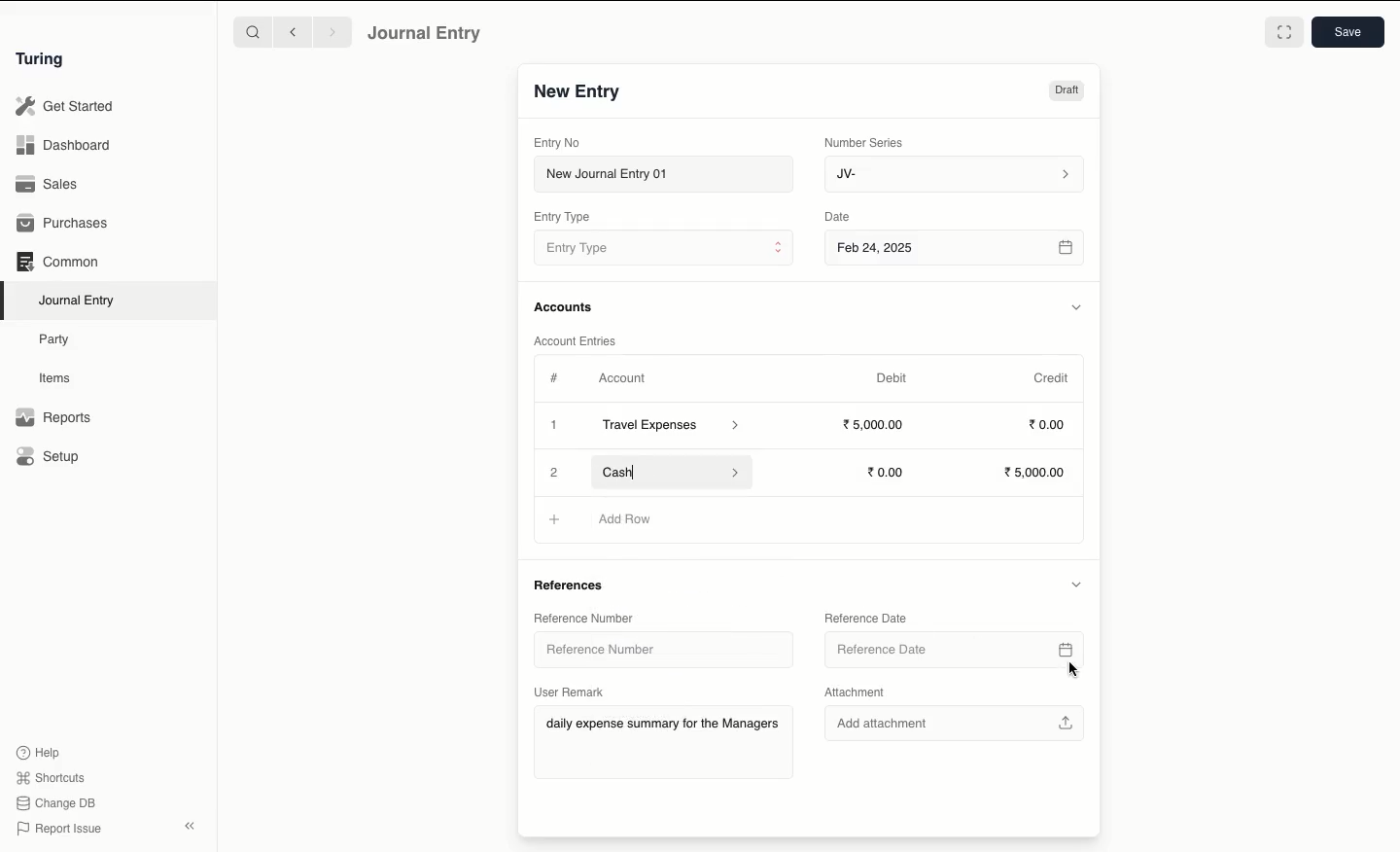 Image resolution: width=1400 pixels, height=852 pixels. What do you see at coordinates (1039, 473) in the screenshot?
I see `5,000.00` at bounding box center [1039, 473].